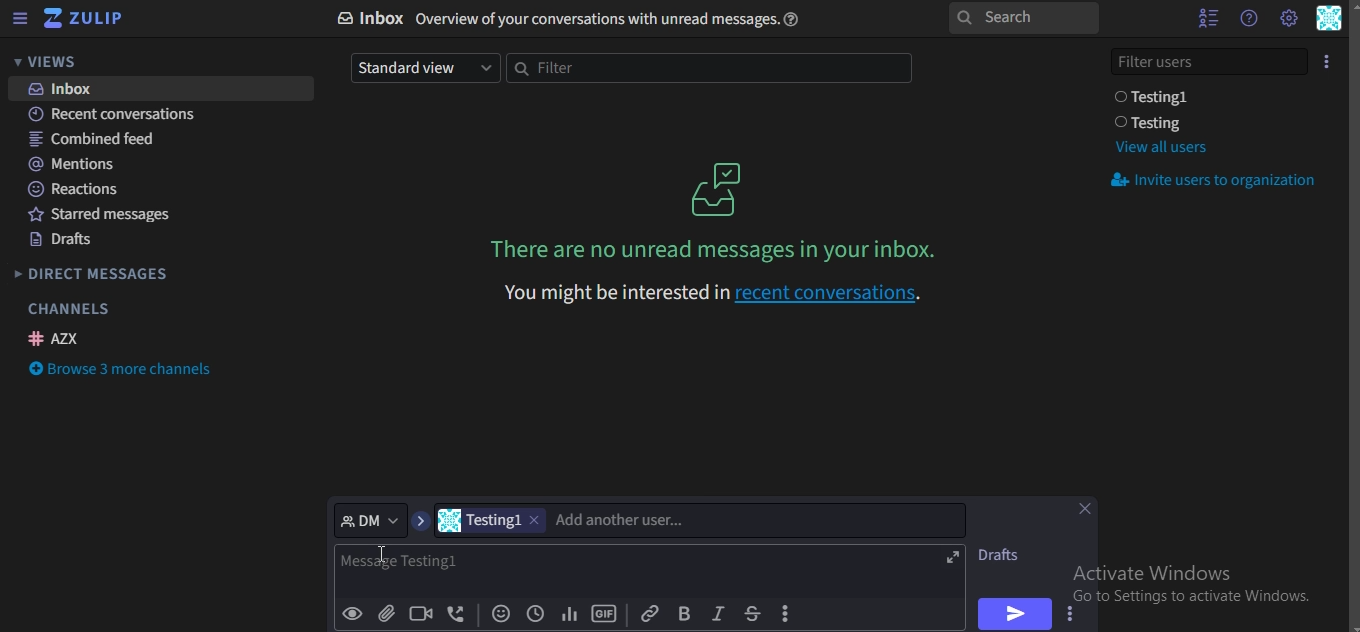 The image size is (1360, 632). What do you see at coordinates (388, 615) in the screenshot?
I see `upload files` at bounding box center [388, 615].